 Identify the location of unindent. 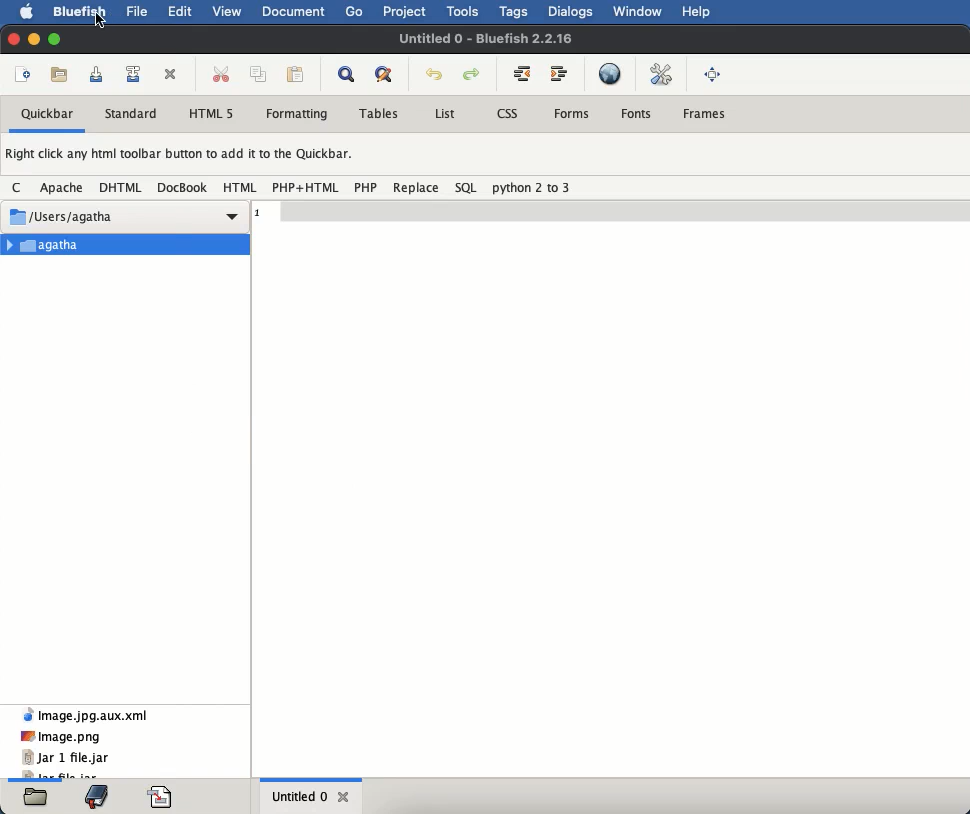
(521, 72).